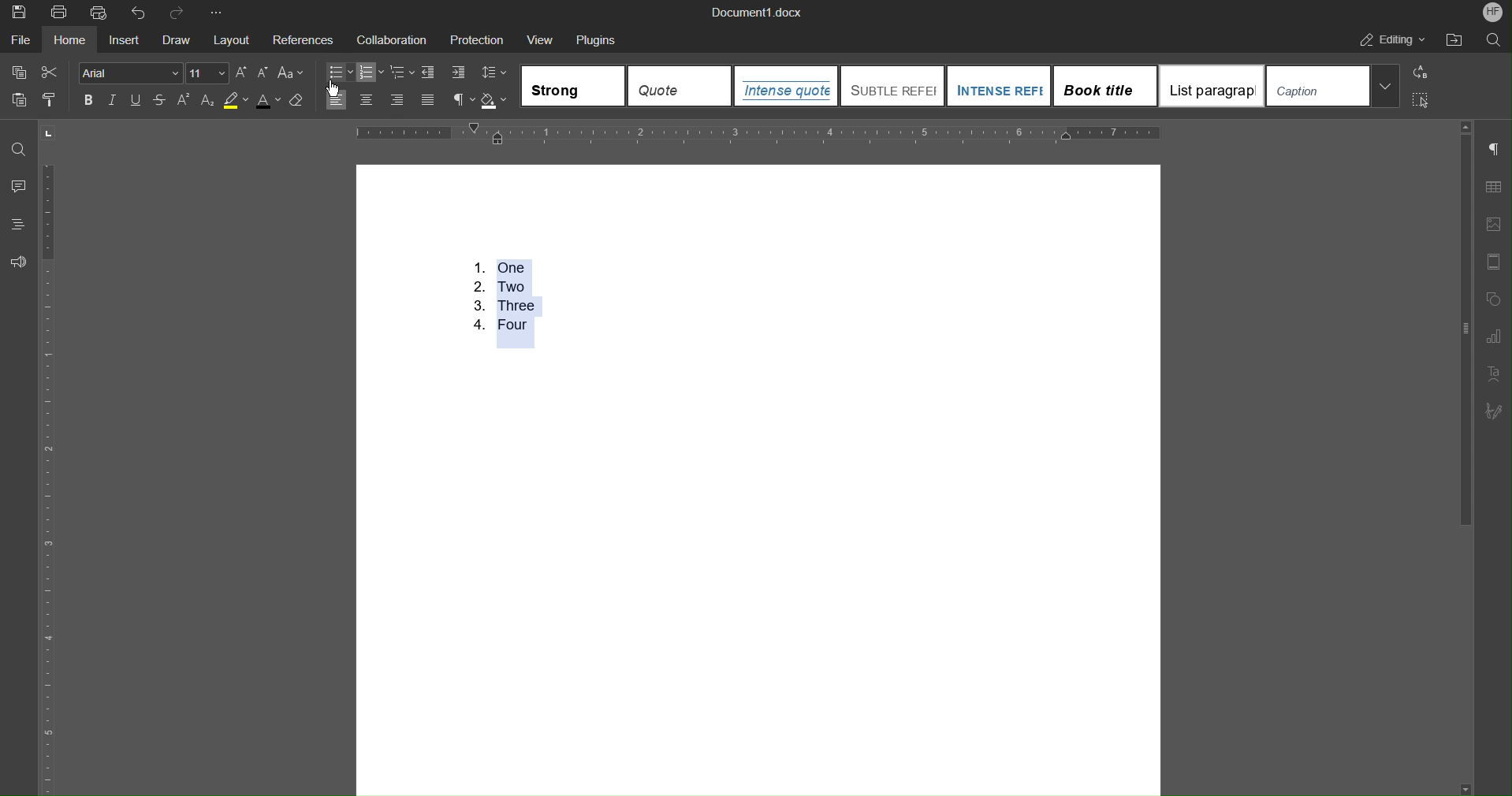 The width and height of the screenshot is (1512, 796). What do you see at coordinates (1489, 38) in the screenshot?
I see `Search` at bounding box center [1489, 38].